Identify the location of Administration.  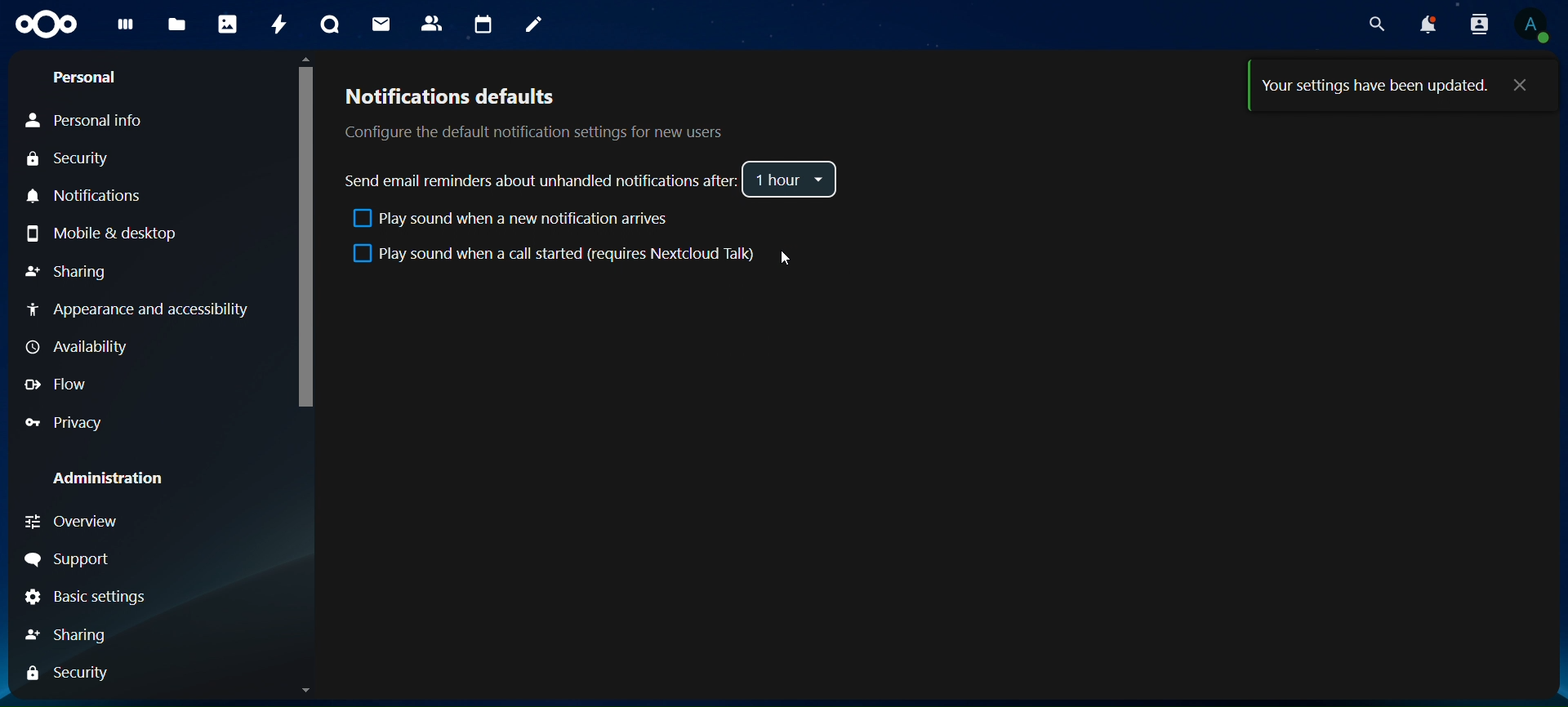
(103, 478).